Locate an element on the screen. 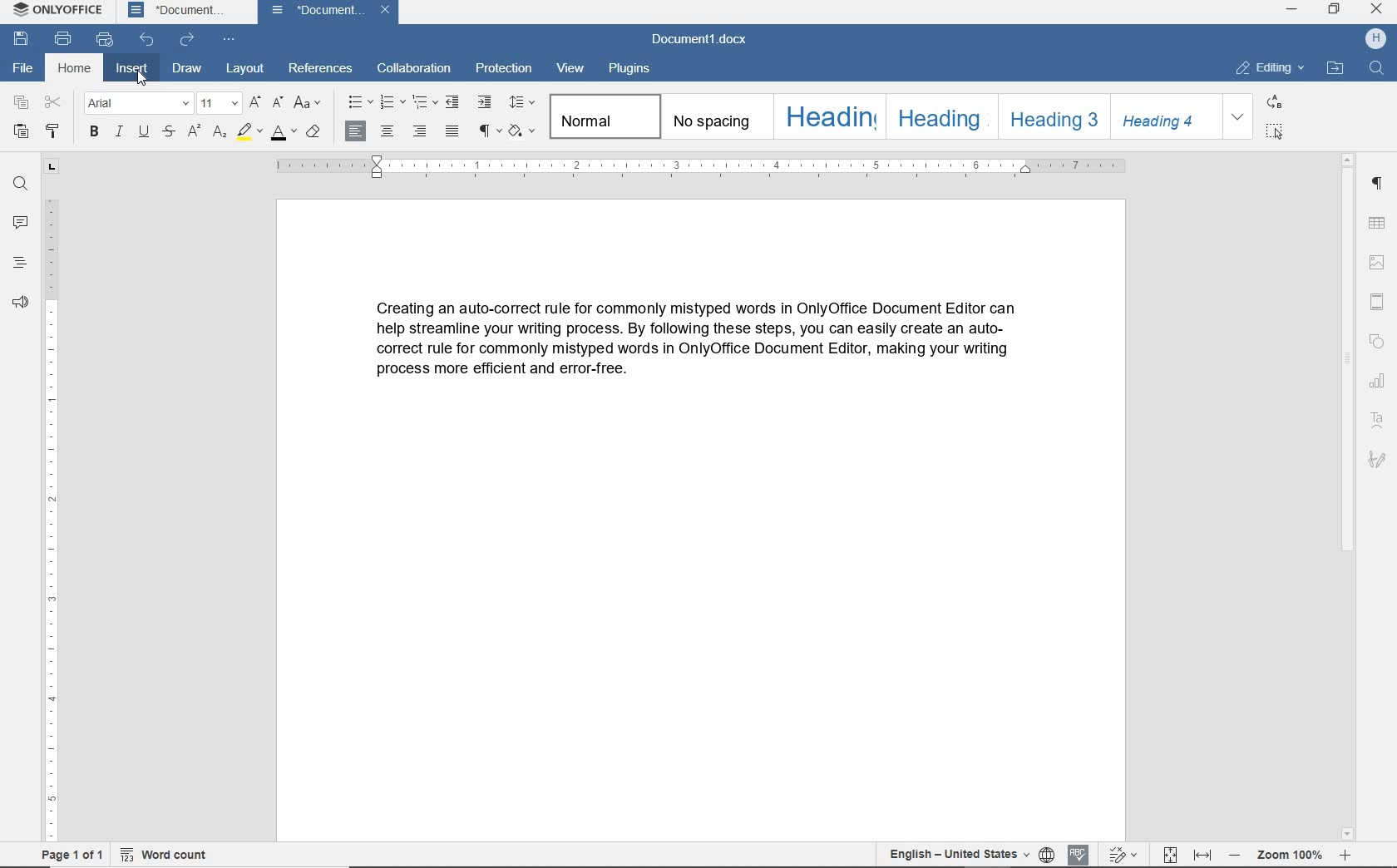 The width and height of the screenshot is (1397, 868). increment font size is located at coordinates (256, 103).